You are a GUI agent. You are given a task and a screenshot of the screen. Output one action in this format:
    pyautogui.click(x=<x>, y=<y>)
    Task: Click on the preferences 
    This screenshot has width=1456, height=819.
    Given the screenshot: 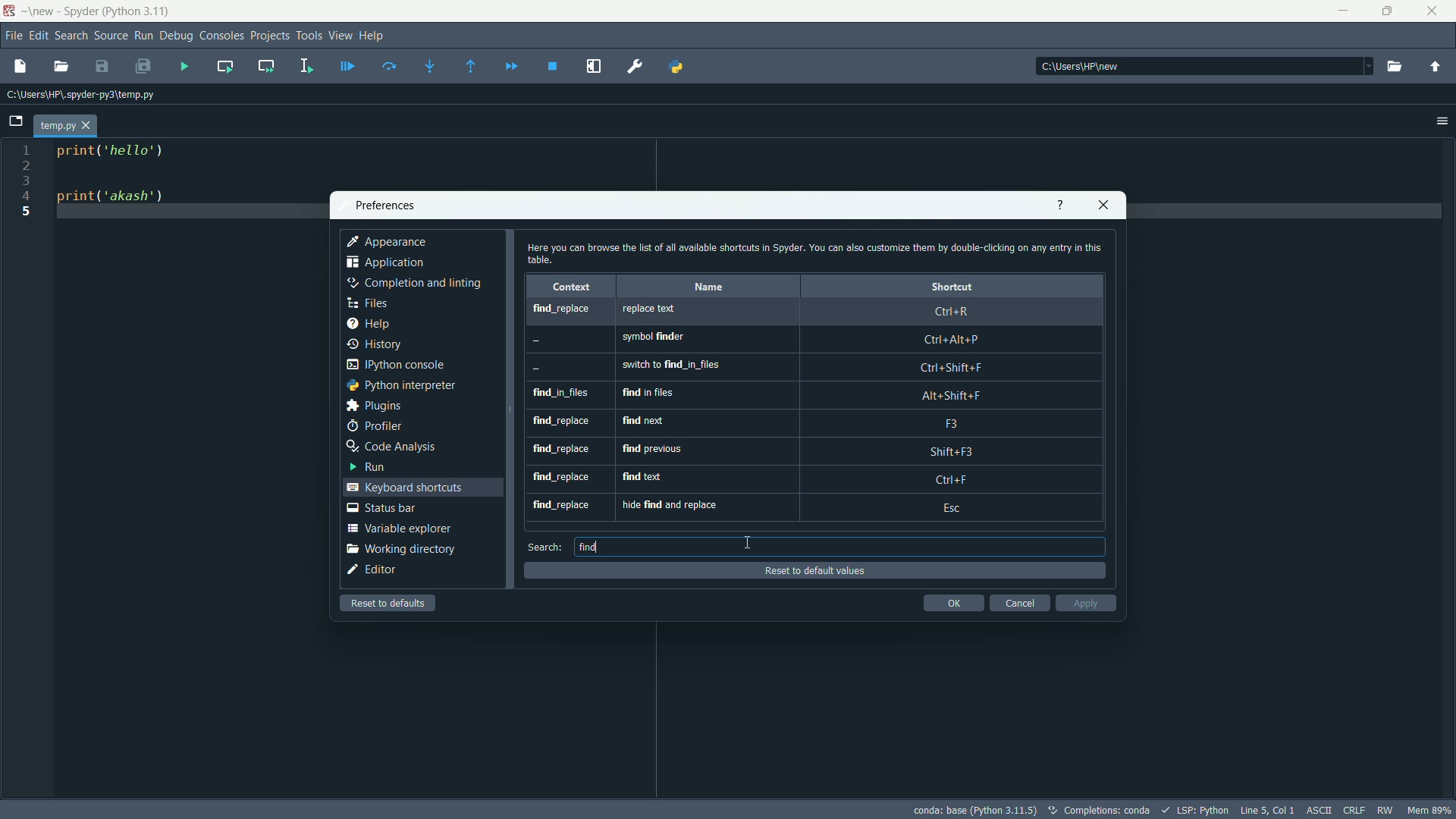 What is the action you would take?
    pyautogui.click(x=635, y=67)
    